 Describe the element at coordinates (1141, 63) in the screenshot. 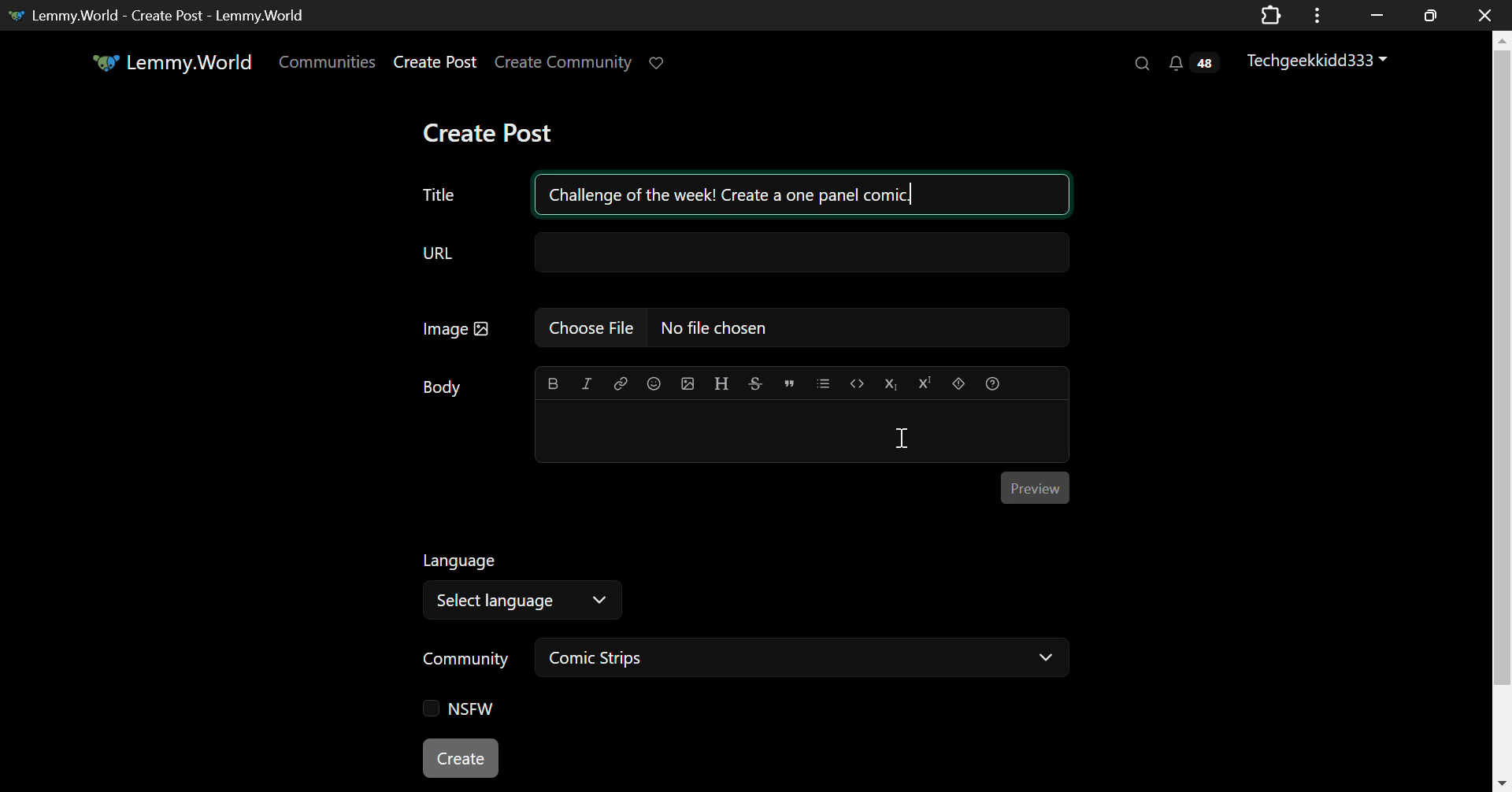

I see `Search ` at that location.